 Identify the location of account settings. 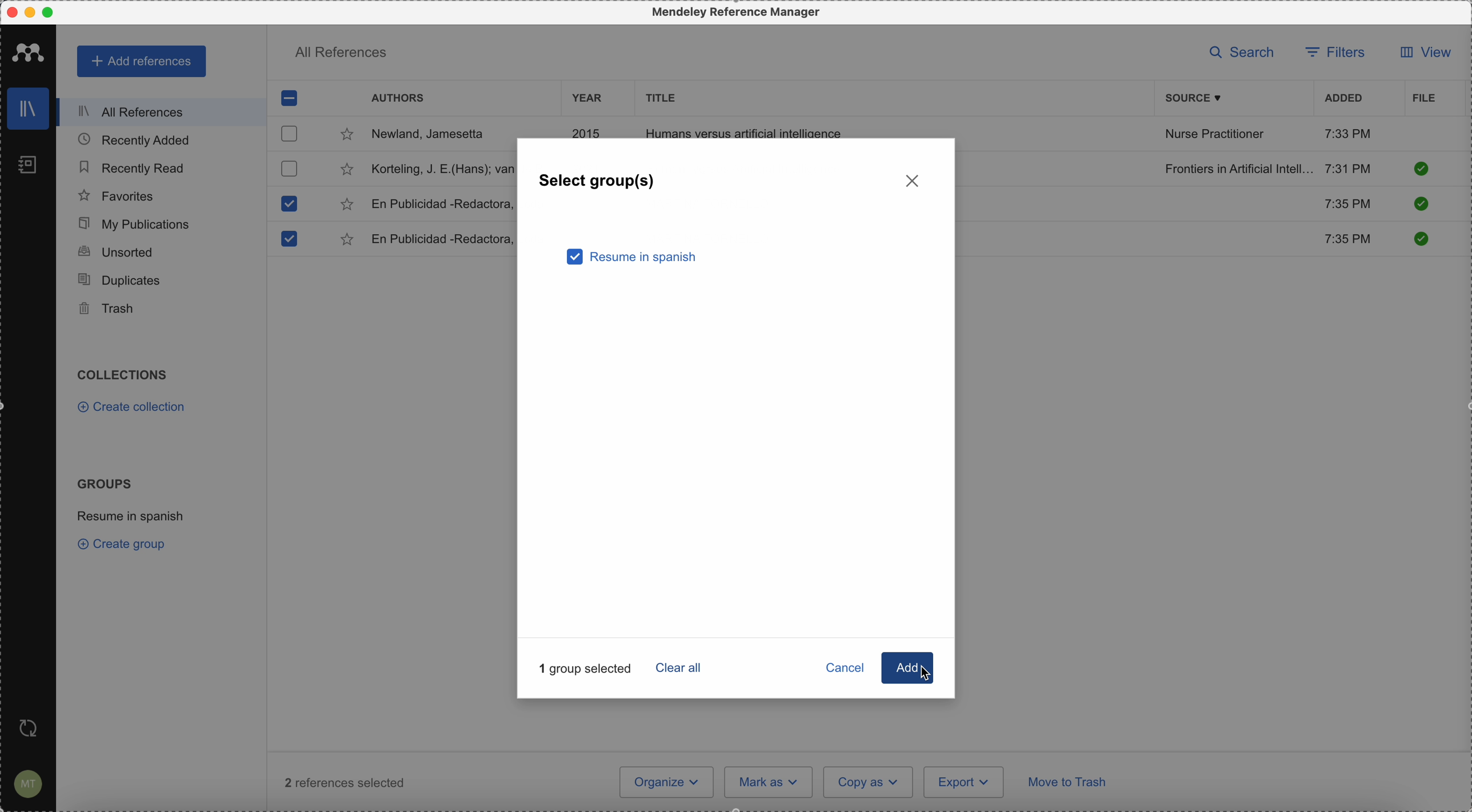
(26, 785).